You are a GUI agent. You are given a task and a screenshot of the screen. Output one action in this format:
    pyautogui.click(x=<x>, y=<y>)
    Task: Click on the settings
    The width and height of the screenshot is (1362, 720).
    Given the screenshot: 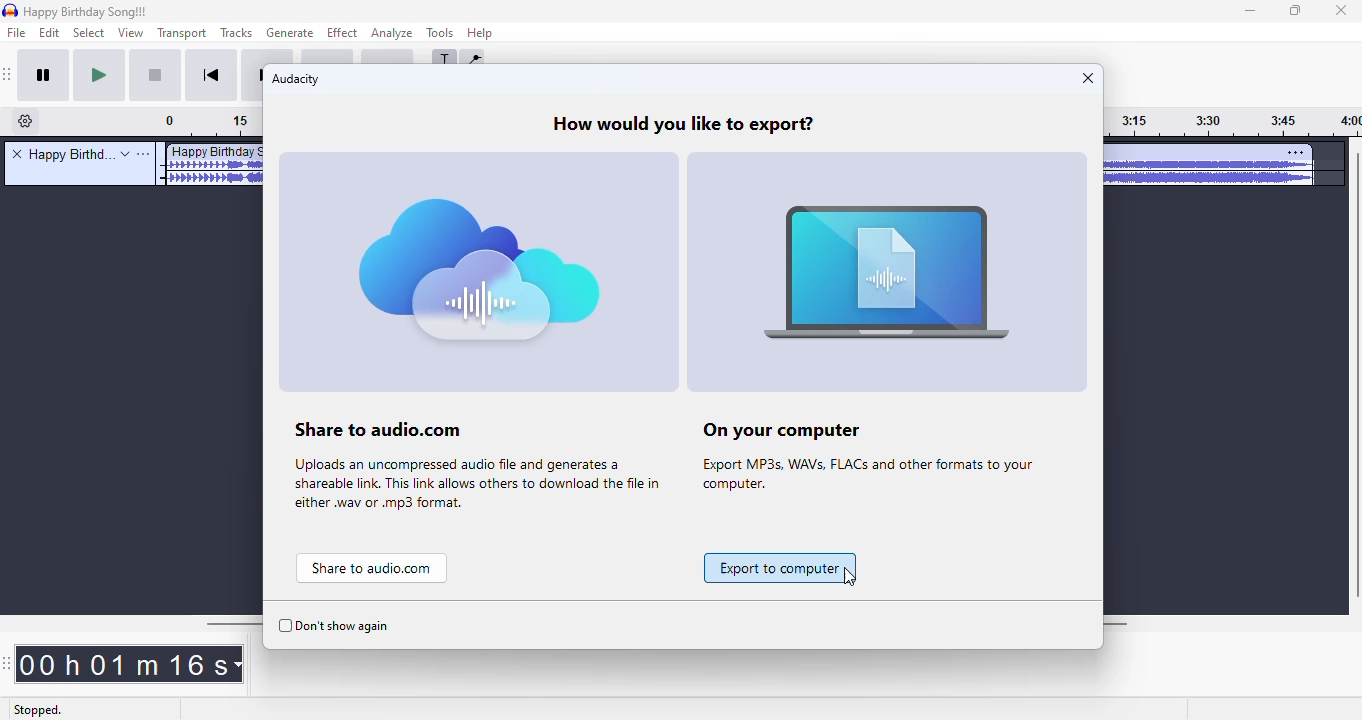 What is the action you would take?
    pyautogui.click(x=1296, y=152)
    